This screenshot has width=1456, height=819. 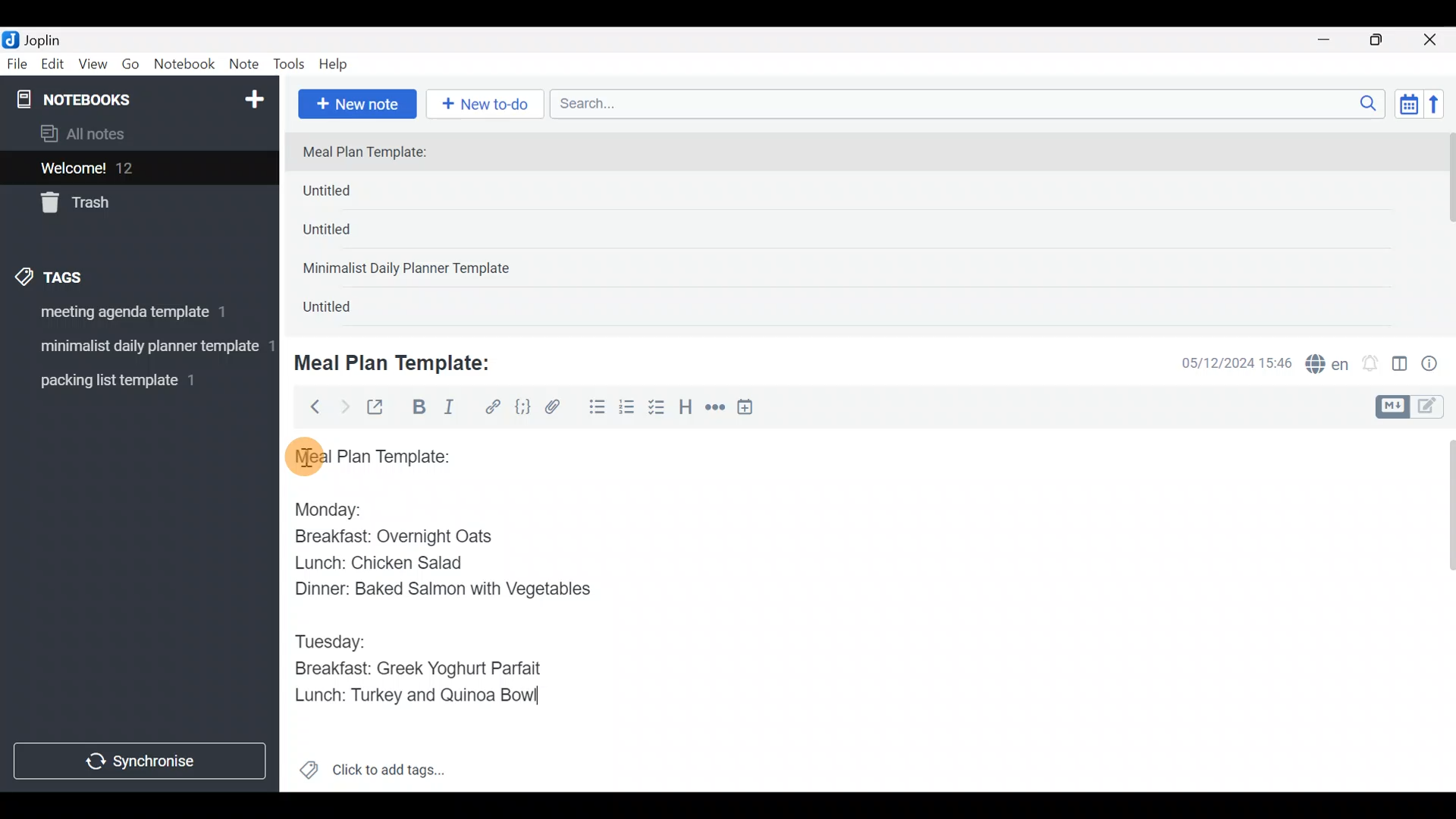 I want to click on Lunch: Turkey and Quinoa Bowl, so click(x=422, y=694).